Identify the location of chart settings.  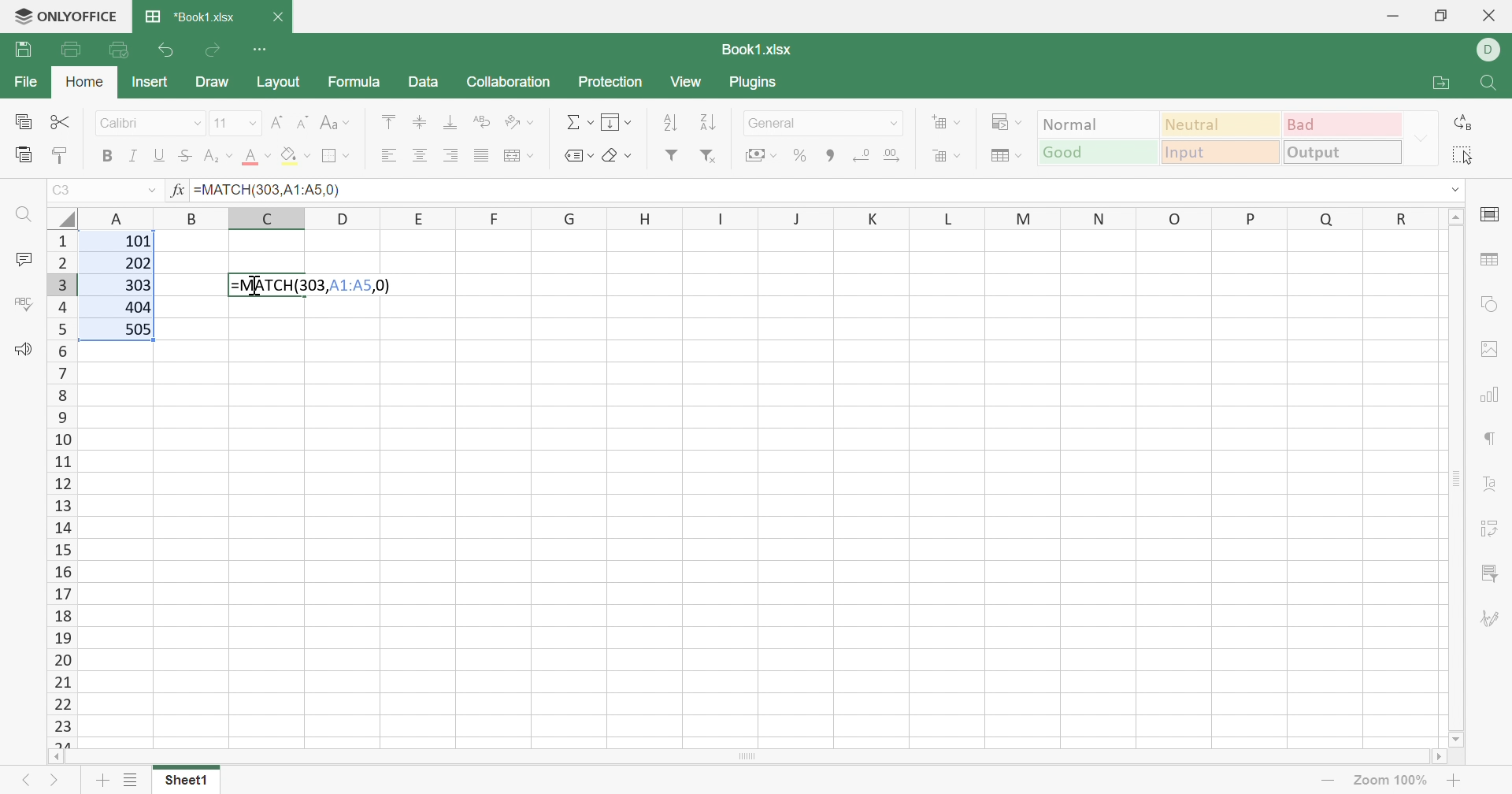
(1495, 396).